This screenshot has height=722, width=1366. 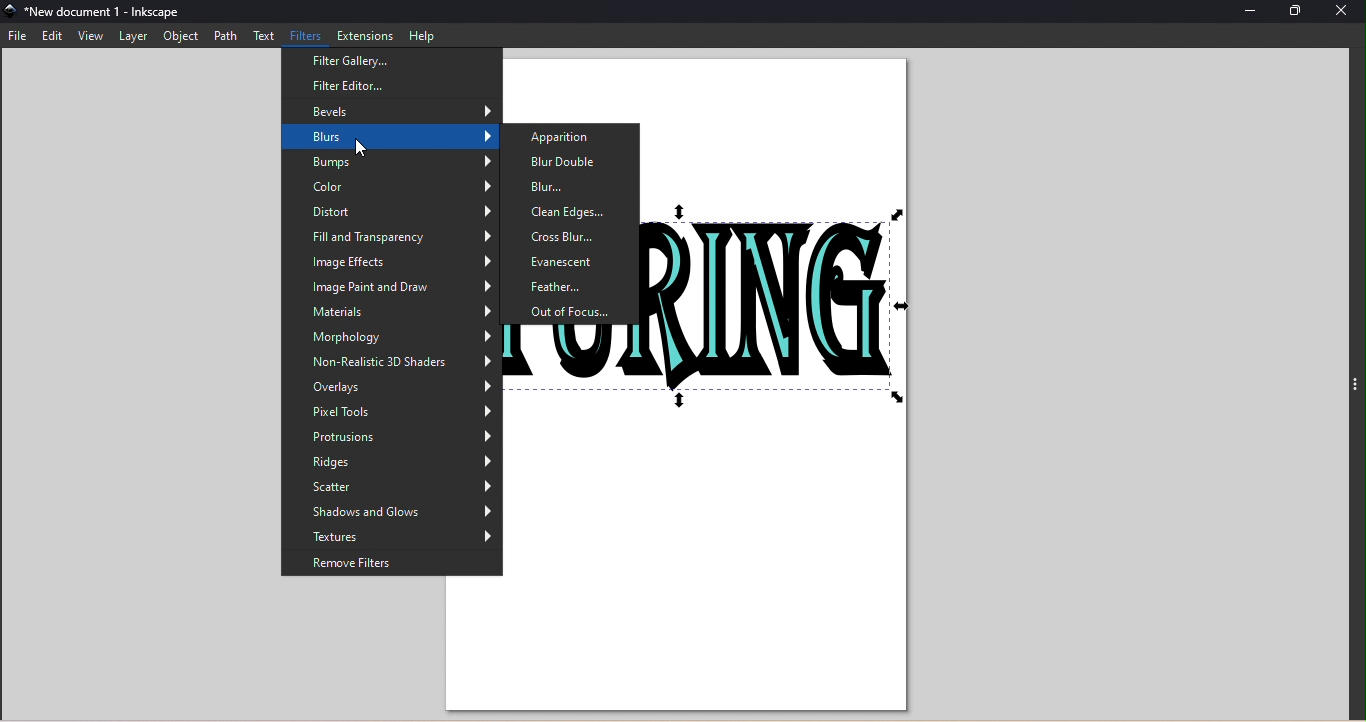 What do you see at coordinates (1342, 13) in the screenshot?
I see `Close` at bounding box center [1342, 13].